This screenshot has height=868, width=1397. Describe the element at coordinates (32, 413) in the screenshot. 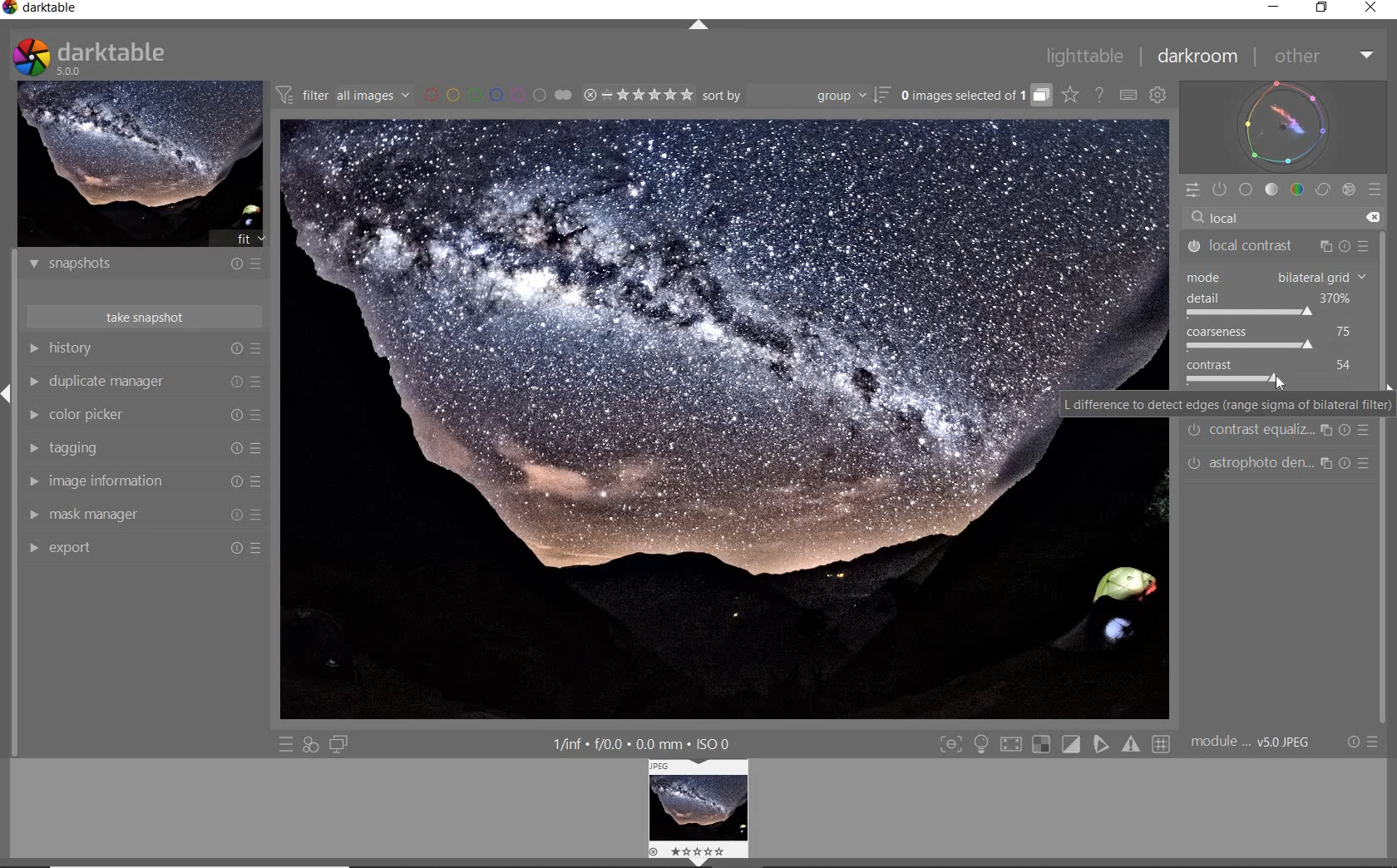

I see `COLOR PICKER` at that location.